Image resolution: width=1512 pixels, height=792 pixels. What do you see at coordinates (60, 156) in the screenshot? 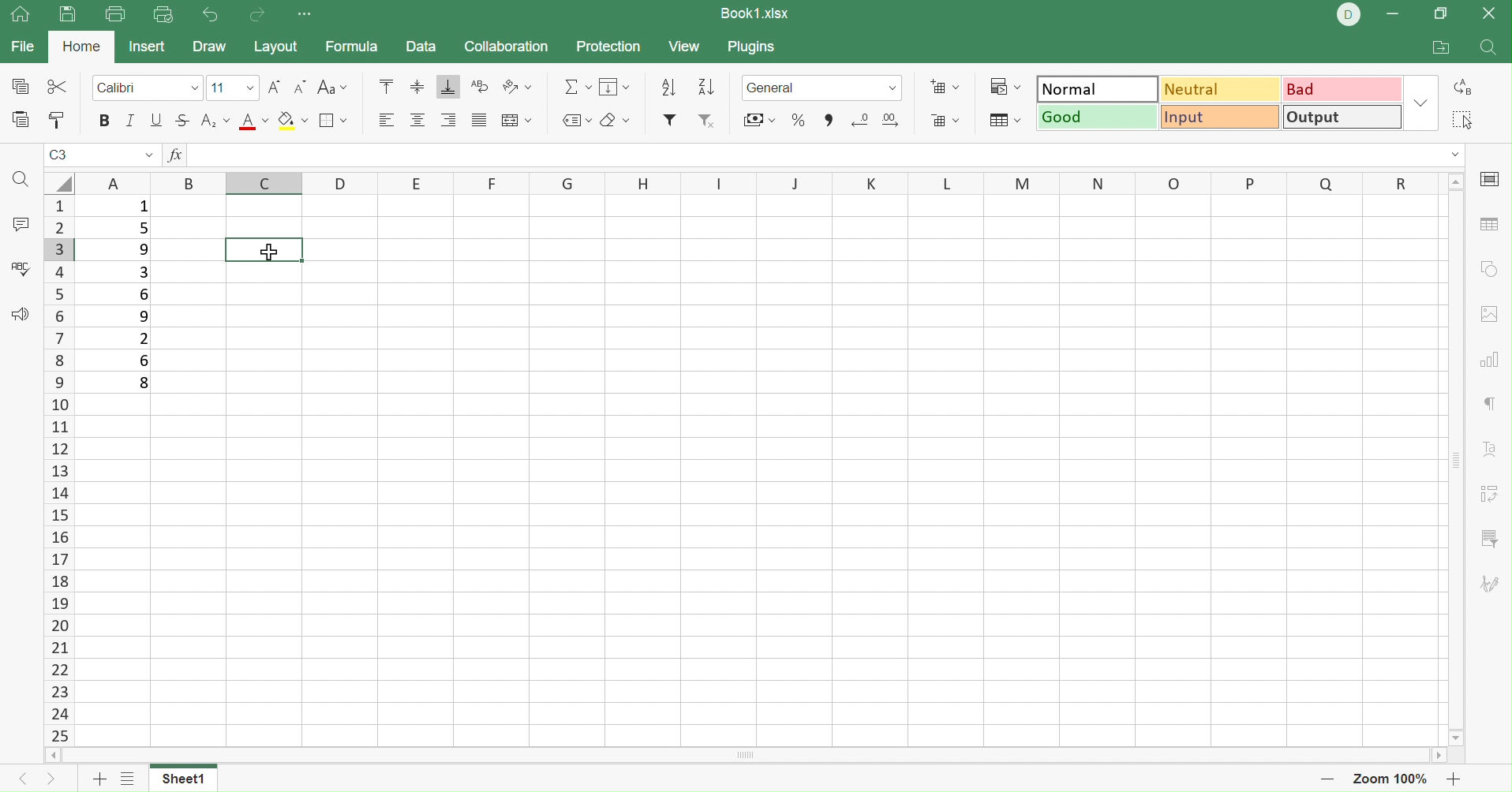
I see `A1` at bounding box center [60, 156].